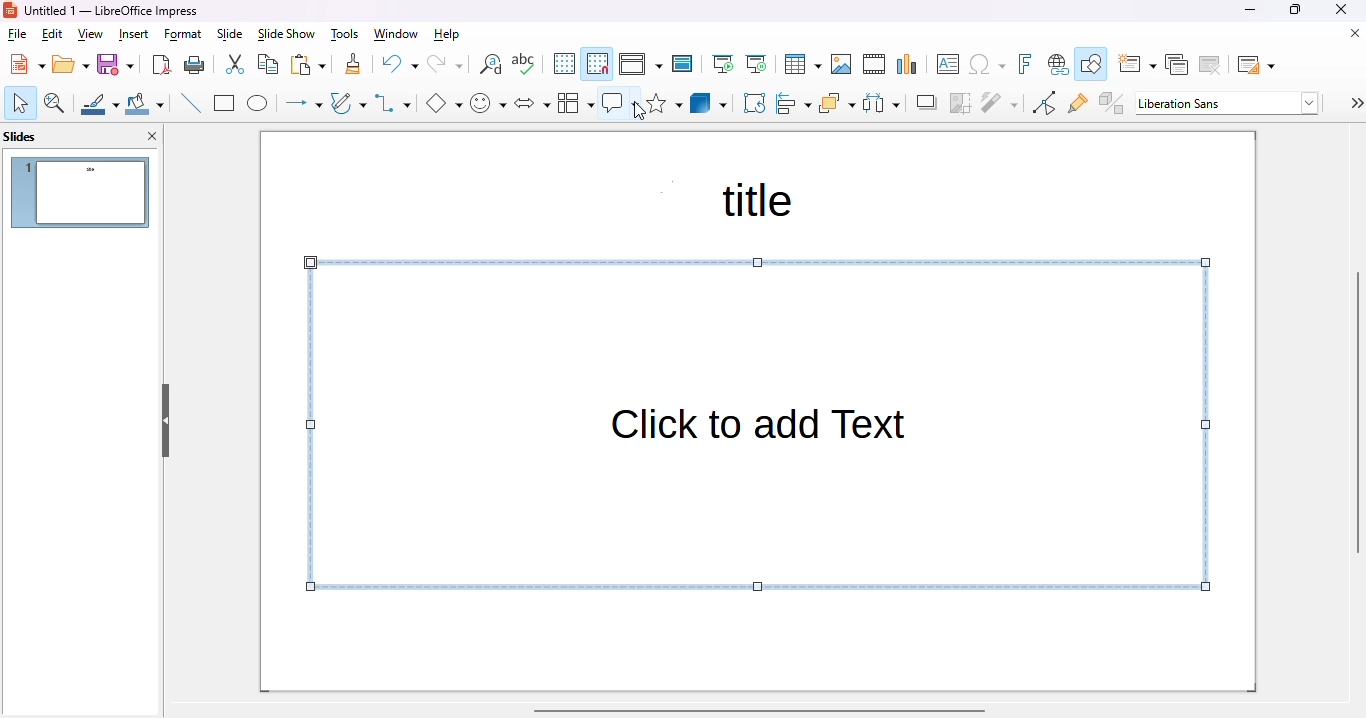 This screenshot has width=1366, height=718. What do you see at coordinates (908, 65) in the screenshot?
I see `insert chart` at bounding box center [908, 65].